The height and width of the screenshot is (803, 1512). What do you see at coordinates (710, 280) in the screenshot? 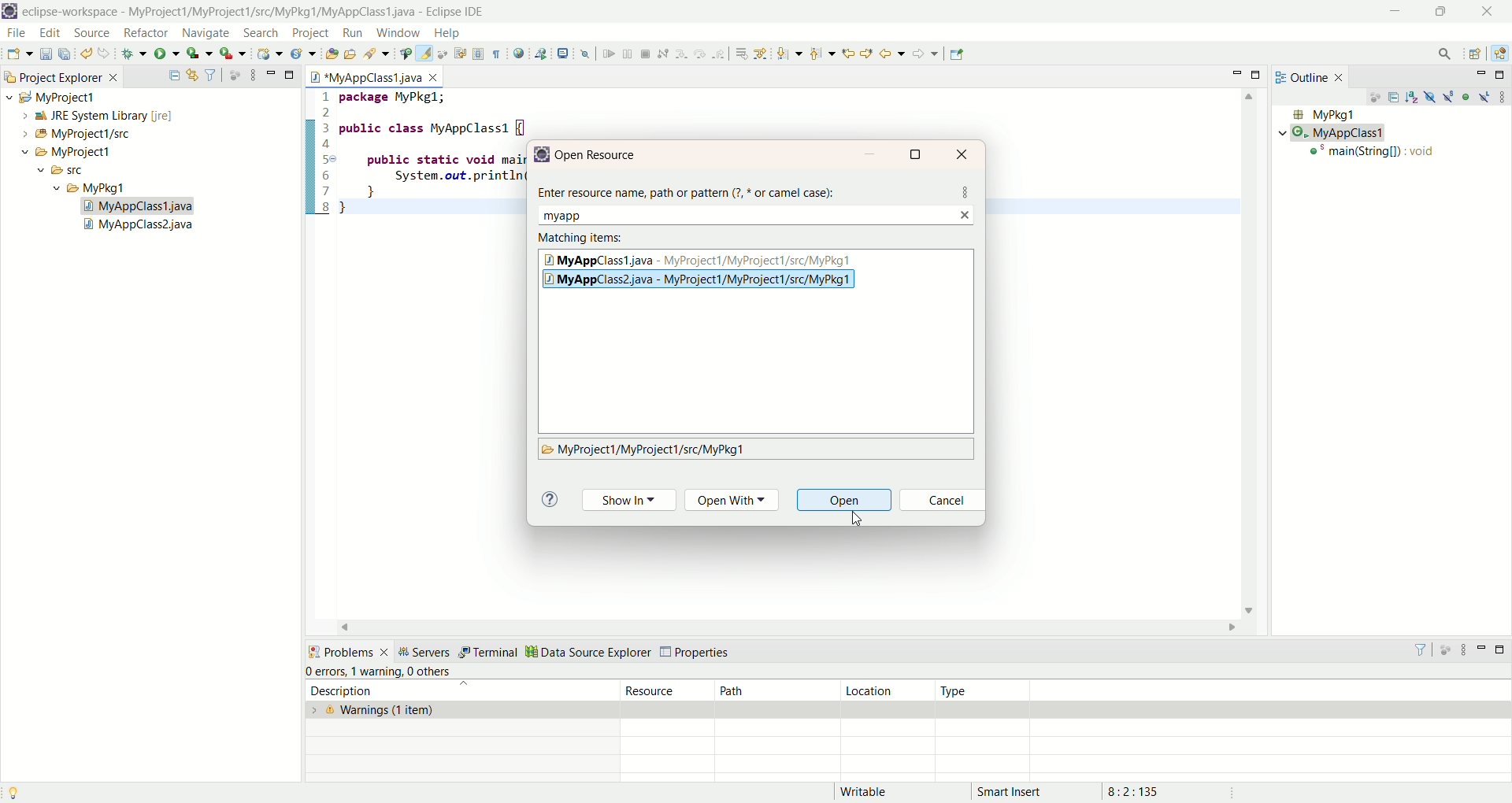
I see `MyAppClass2java - MyProject1/MyProject1/src/MyPkgl` at bounding box center [710, 280].